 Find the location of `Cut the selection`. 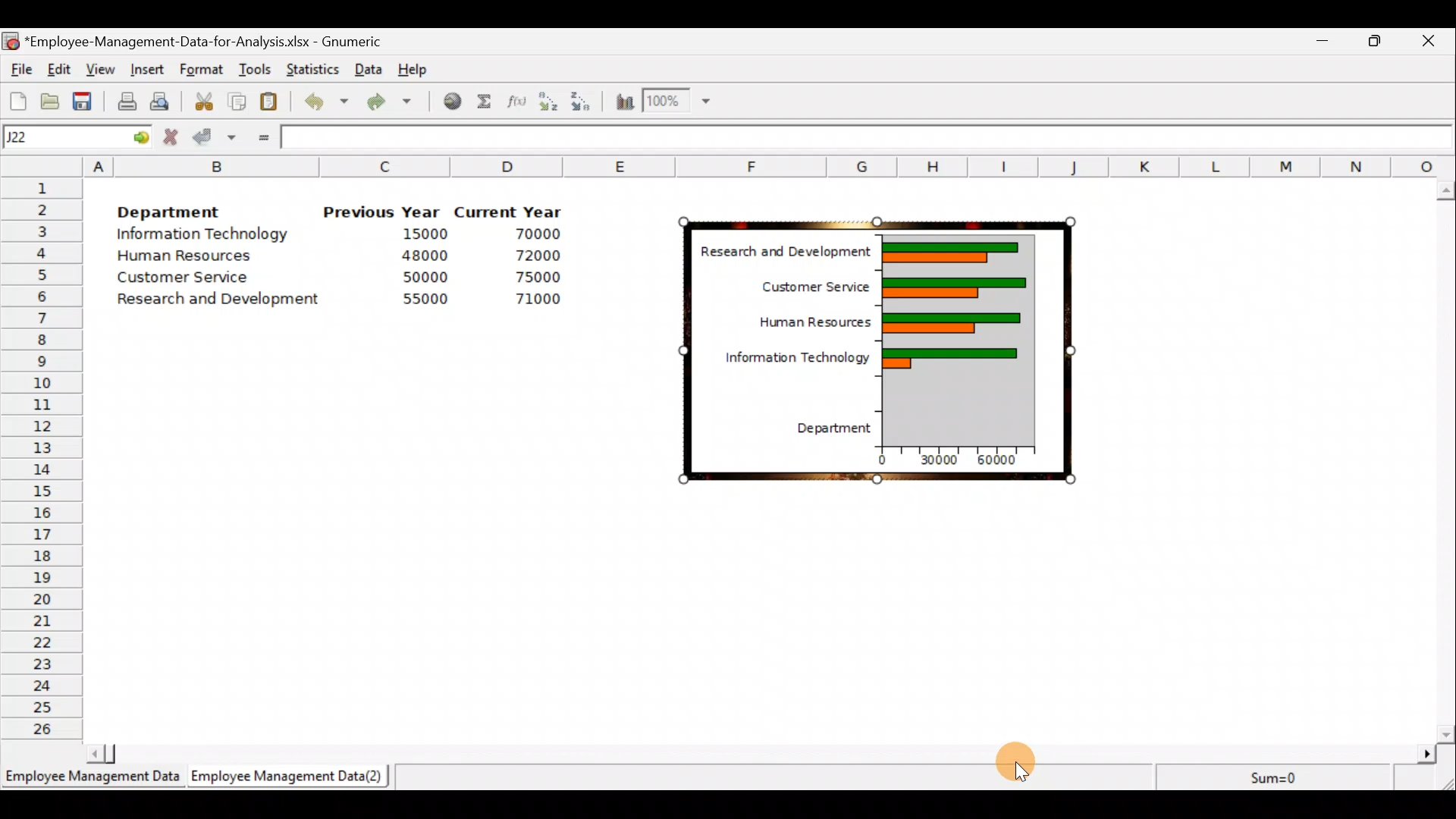

Cut the selection is located at coordinates (206, 104).